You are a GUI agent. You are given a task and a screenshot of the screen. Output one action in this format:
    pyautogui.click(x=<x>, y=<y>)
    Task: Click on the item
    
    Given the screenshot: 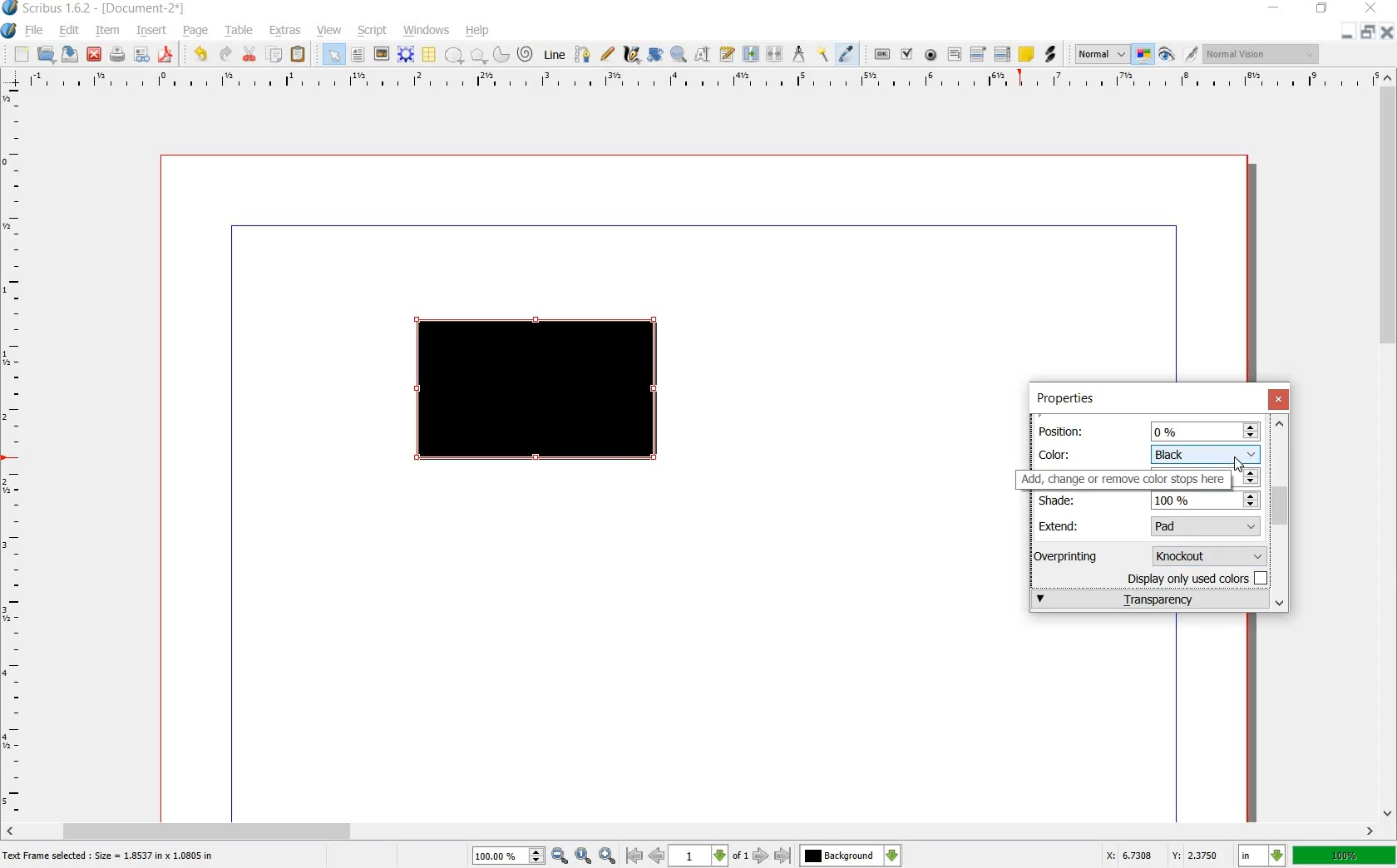 What is the action you would take?
    pyautogui.click(x=106, y=32)
    